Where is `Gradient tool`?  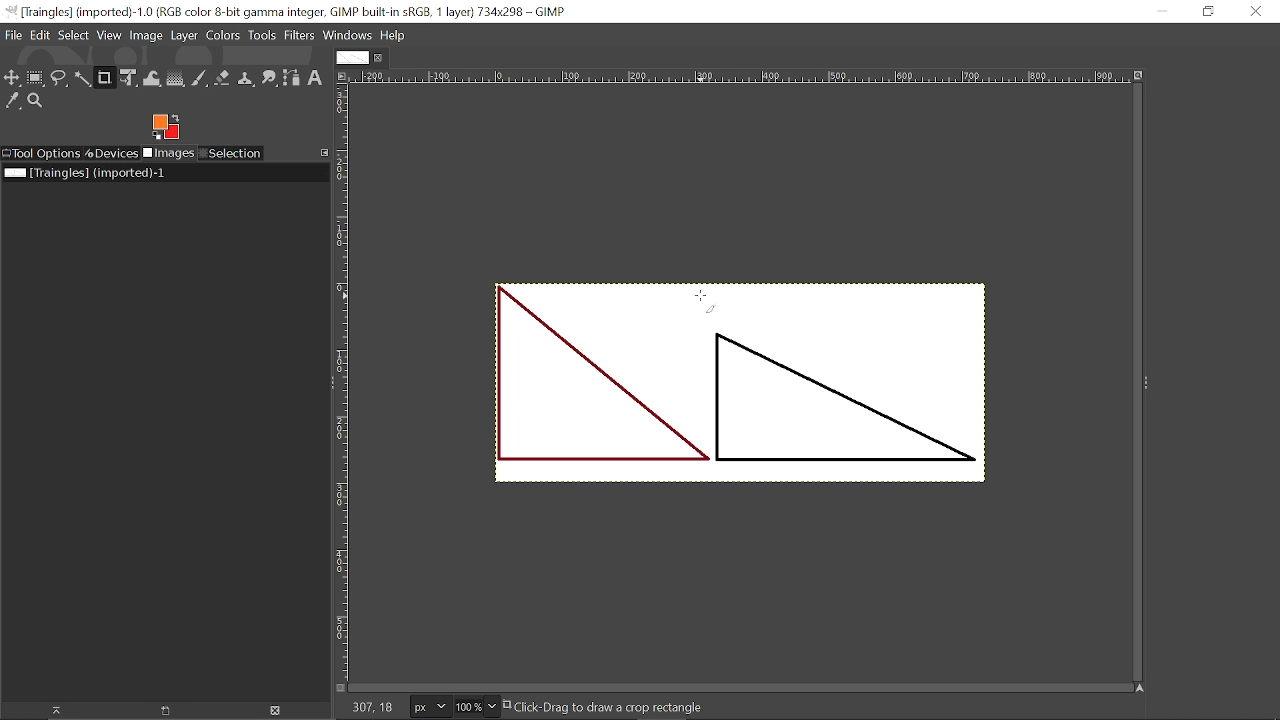 Gradient tool is located at coordinates (176, 78).